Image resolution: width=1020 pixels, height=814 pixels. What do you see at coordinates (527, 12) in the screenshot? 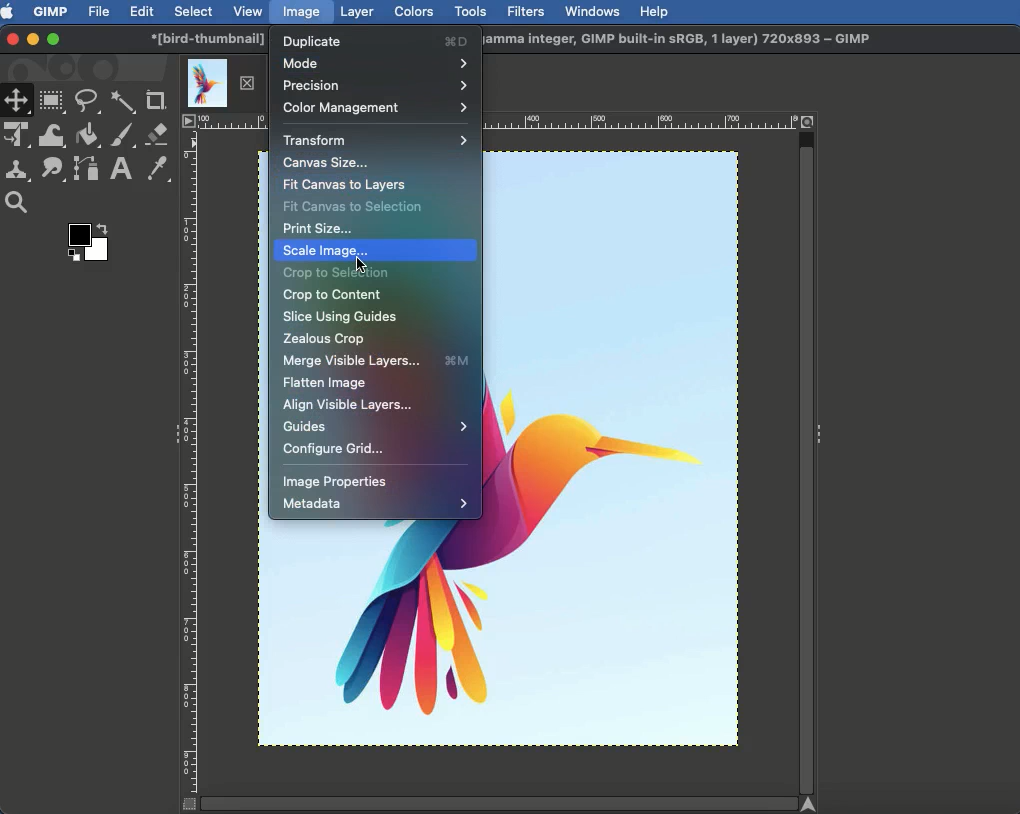
I see `Filters` at bounding box center [527, 12].